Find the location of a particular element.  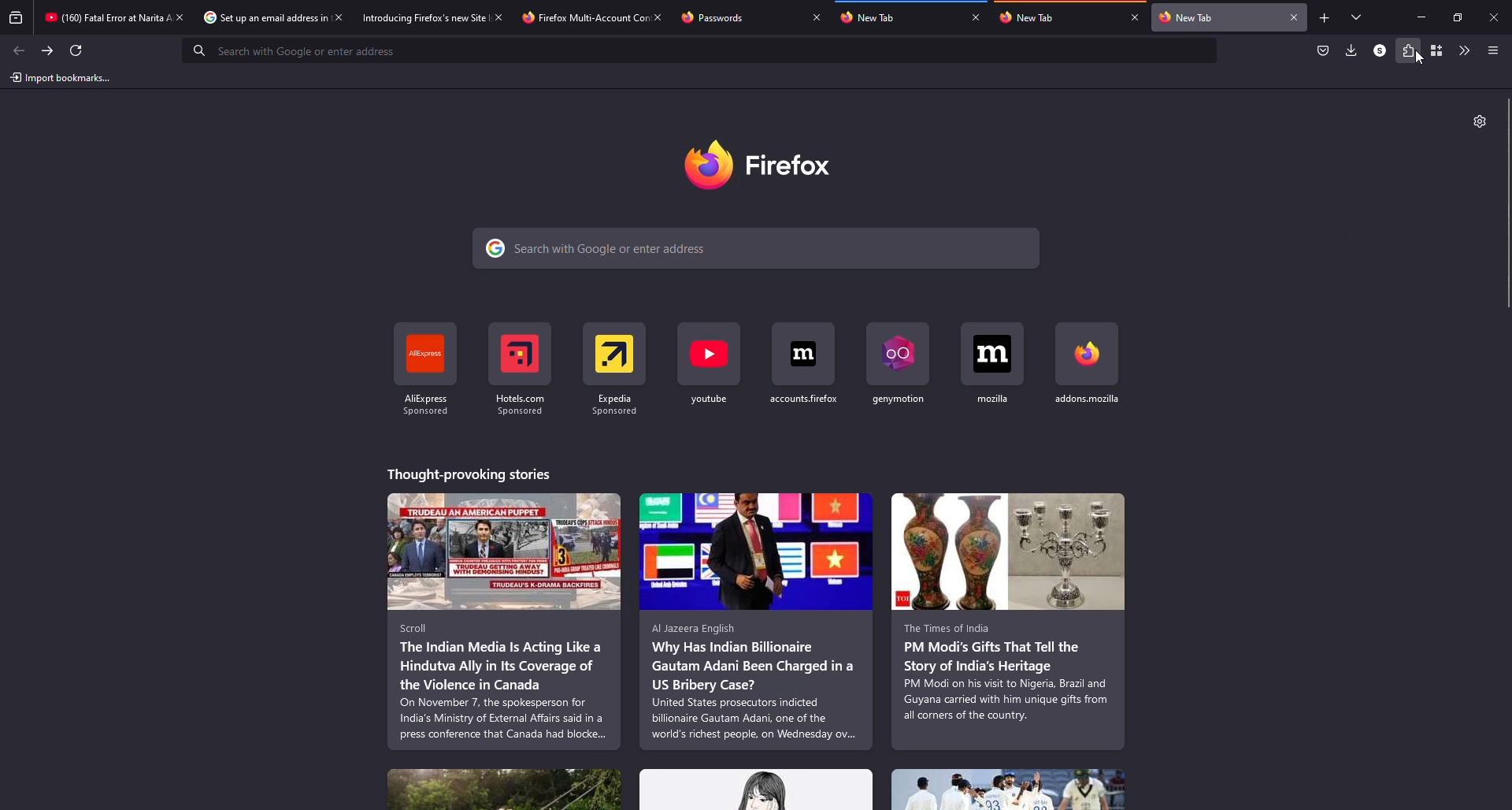

more tools is located at coordinates (1462, 50).